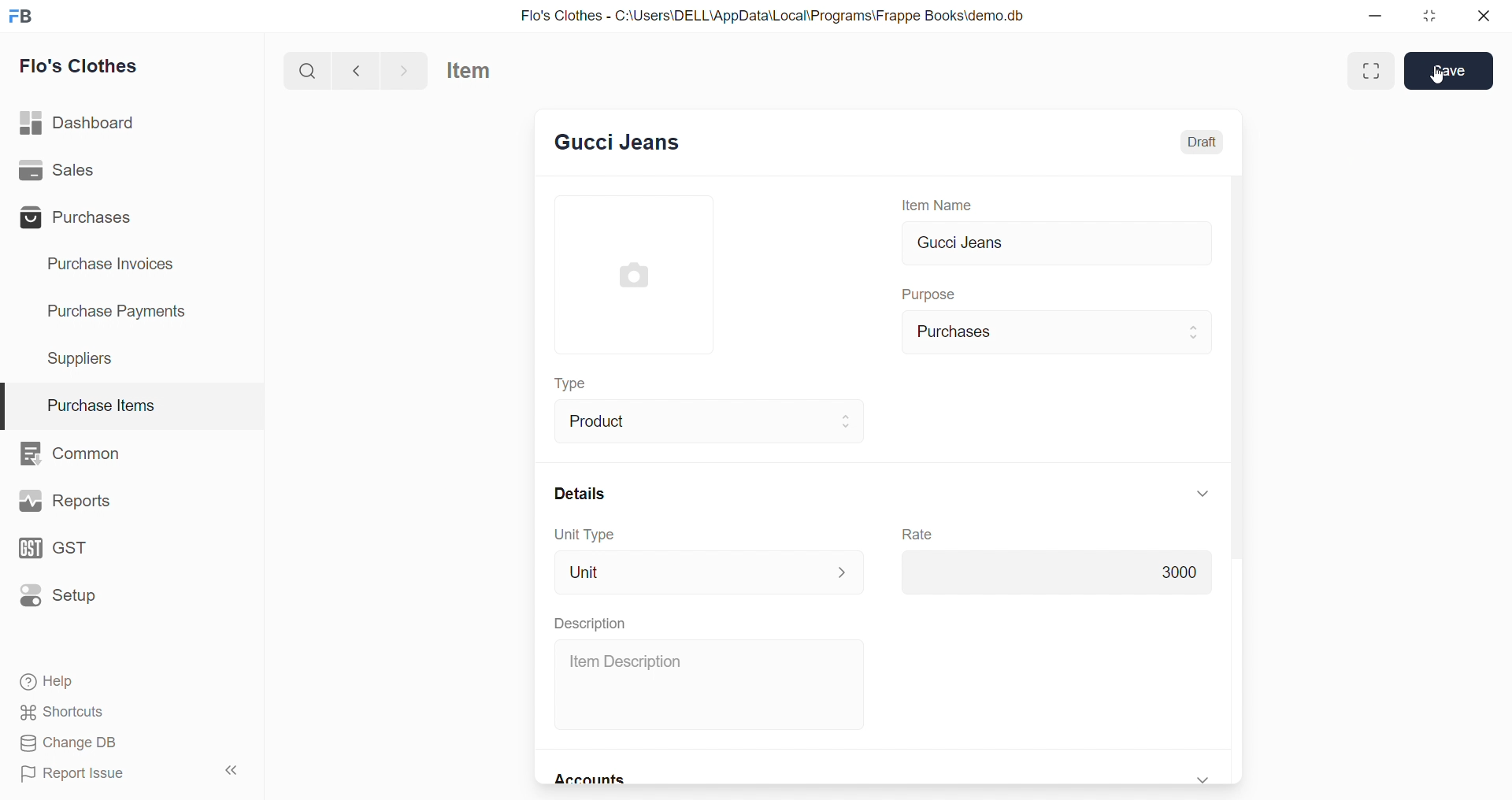  What do you see at coordinates (87, 357) in the screenshot?
I see `Suppliers` at bounding box center [87, 357].